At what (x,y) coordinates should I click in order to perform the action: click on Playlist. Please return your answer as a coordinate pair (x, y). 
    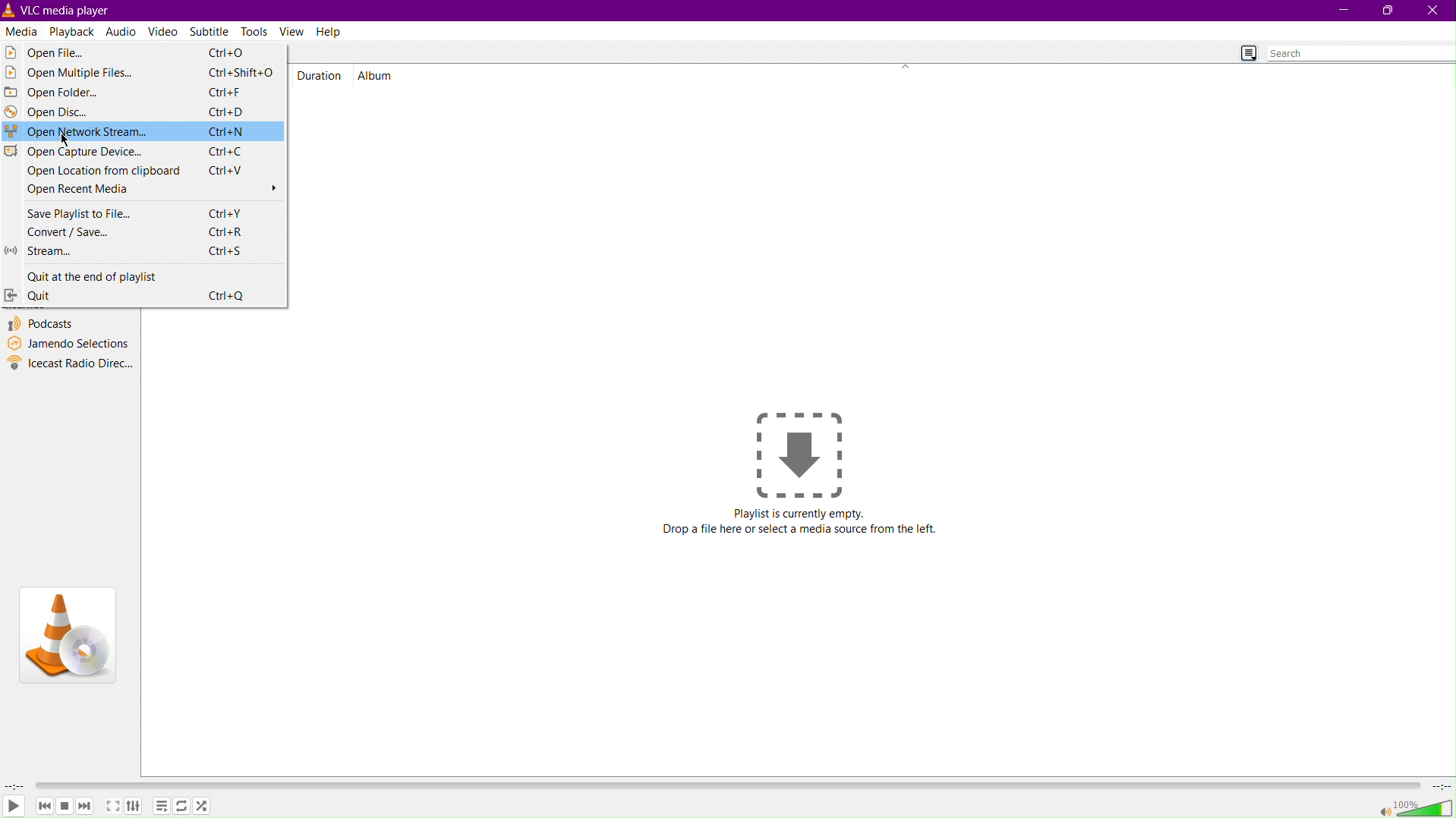
    Looking at the image, I should click on (162, 807).